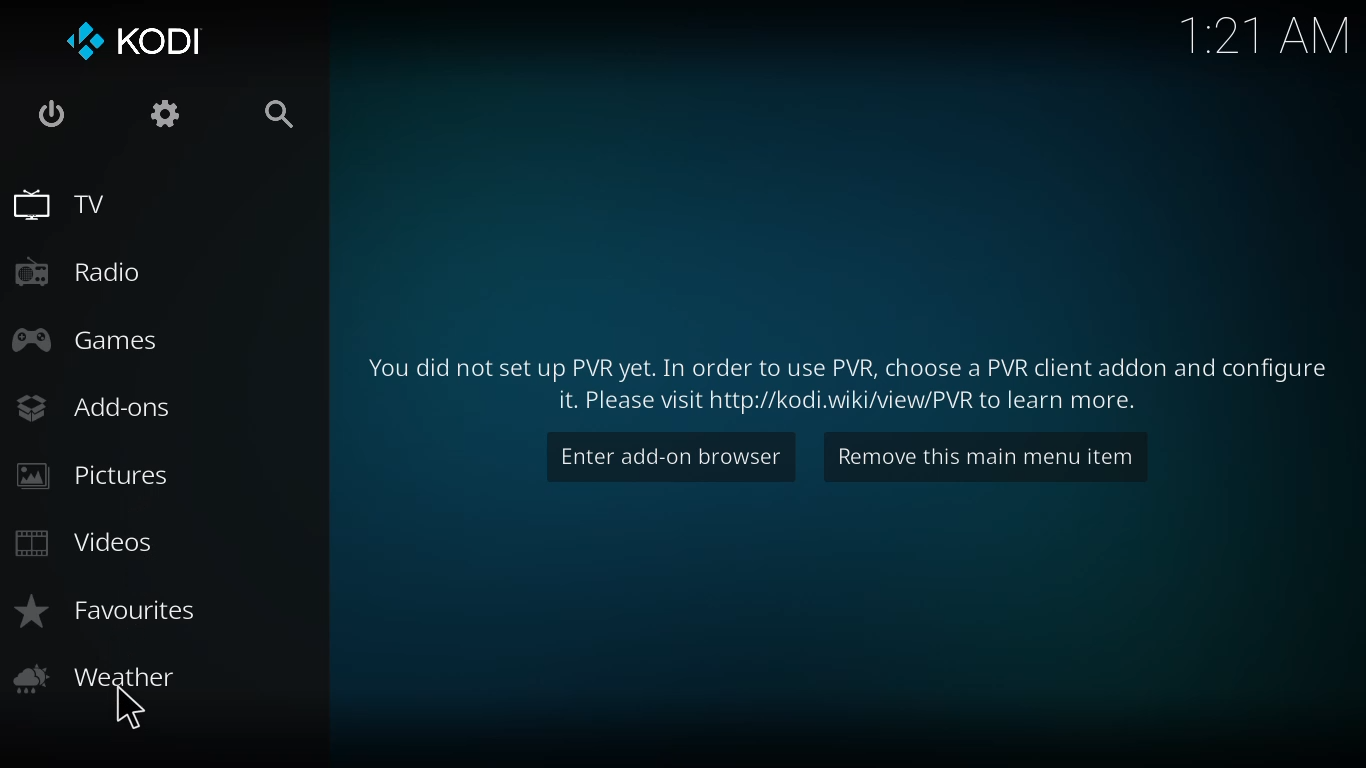 Image resolution: width=1366 pixels, height=768 pixels. Describe the element at coordinates (64, 205) in the screenshot. I see `tv` at that location.